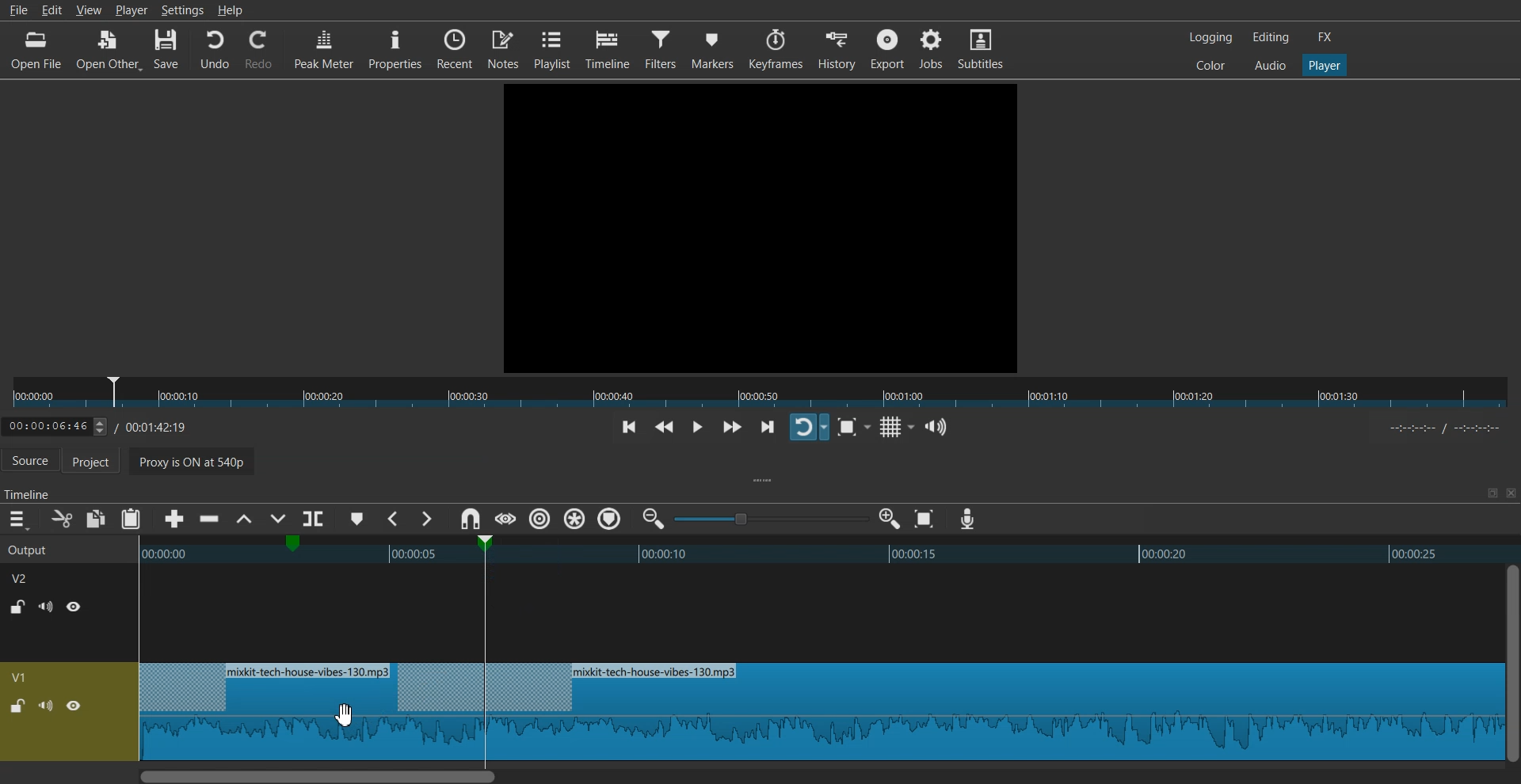  What do you see at coordinates (889, 519) in the screenshot?
I see `Zoom timeline in` at bounding box center [889, 519].